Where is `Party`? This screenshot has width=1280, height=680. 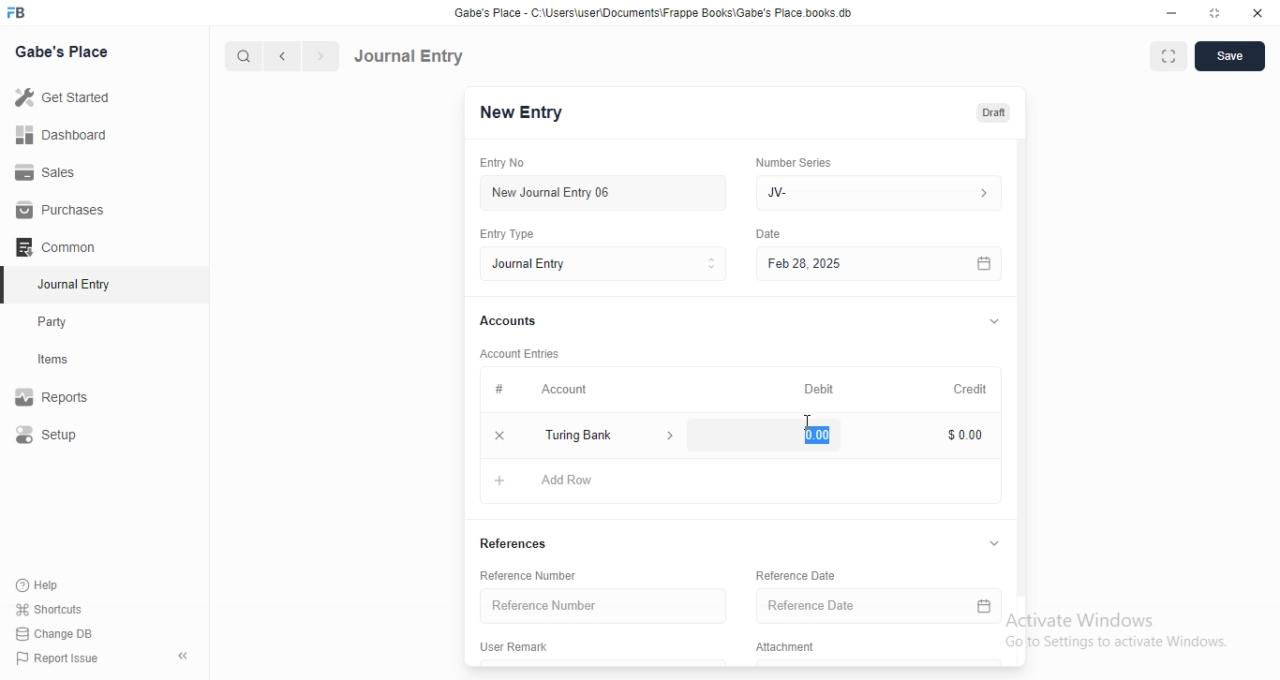 Party is located at coordinates (66, 322).